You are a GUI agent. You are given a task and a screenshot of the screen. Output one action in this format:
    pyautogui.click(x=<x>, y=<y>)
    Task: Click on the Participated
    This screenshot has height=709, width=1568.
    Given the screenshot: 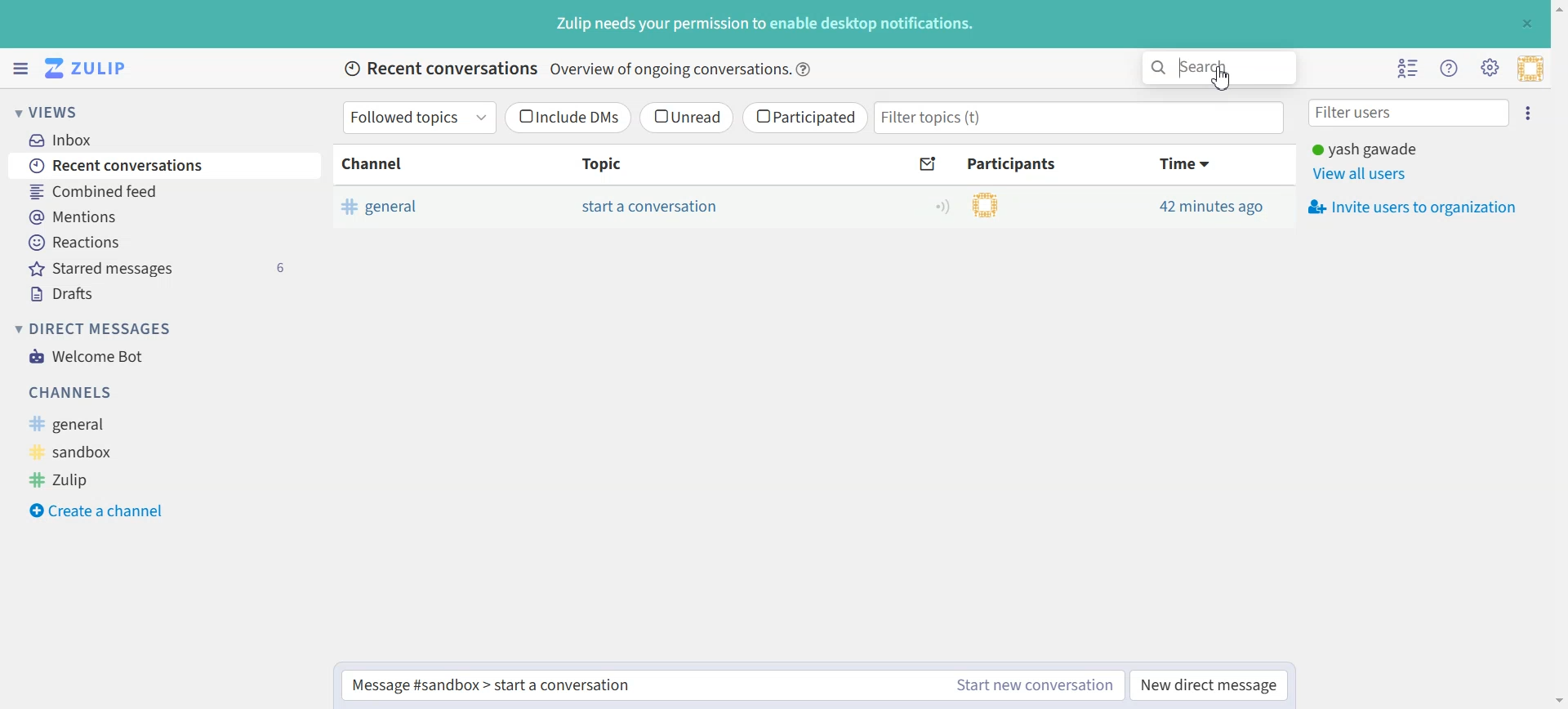 What is the action you would take?
    pyautogui.click(x=804, y=118)
    